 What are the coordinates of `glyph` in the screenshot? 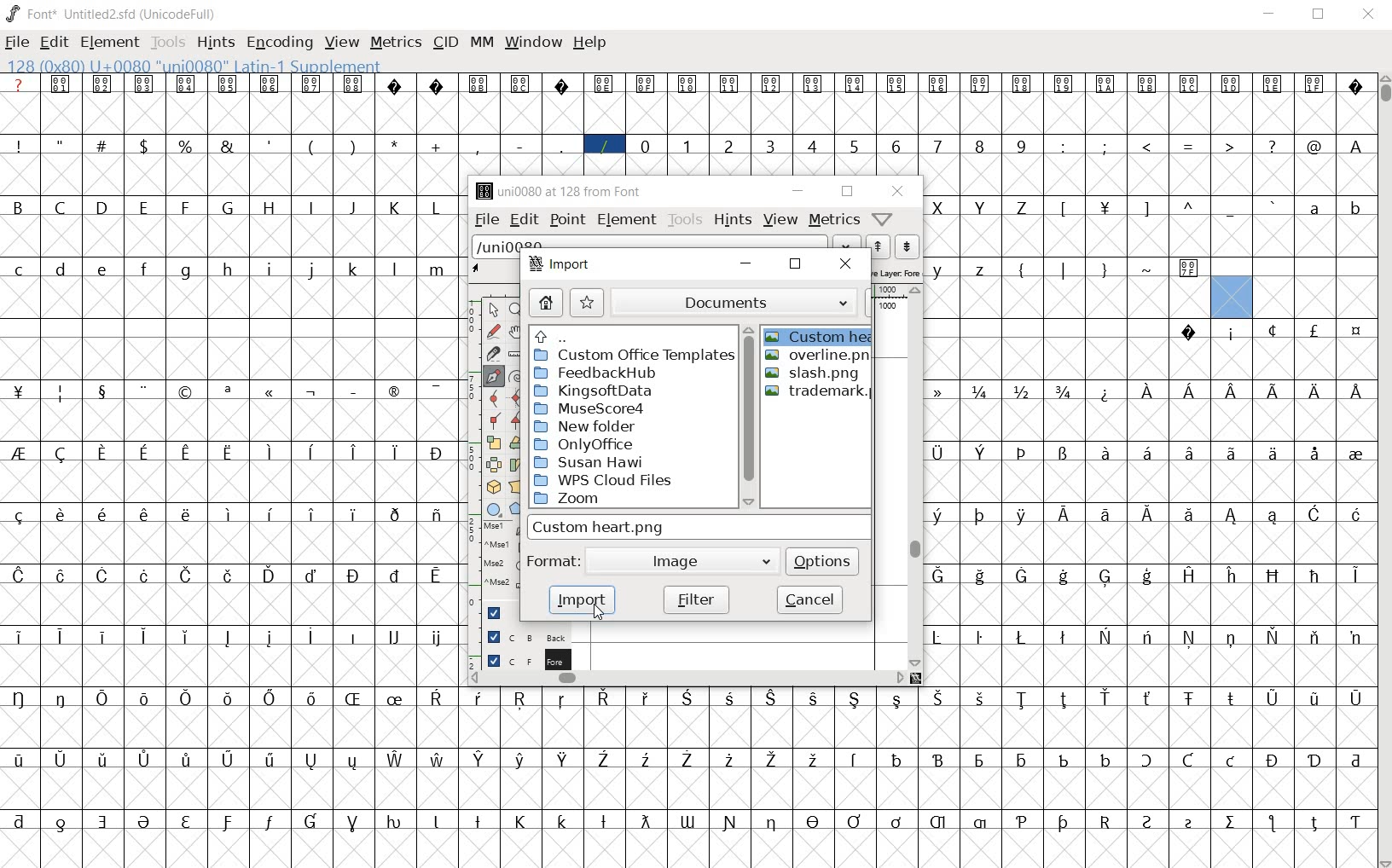 It's located at (1355, 761).